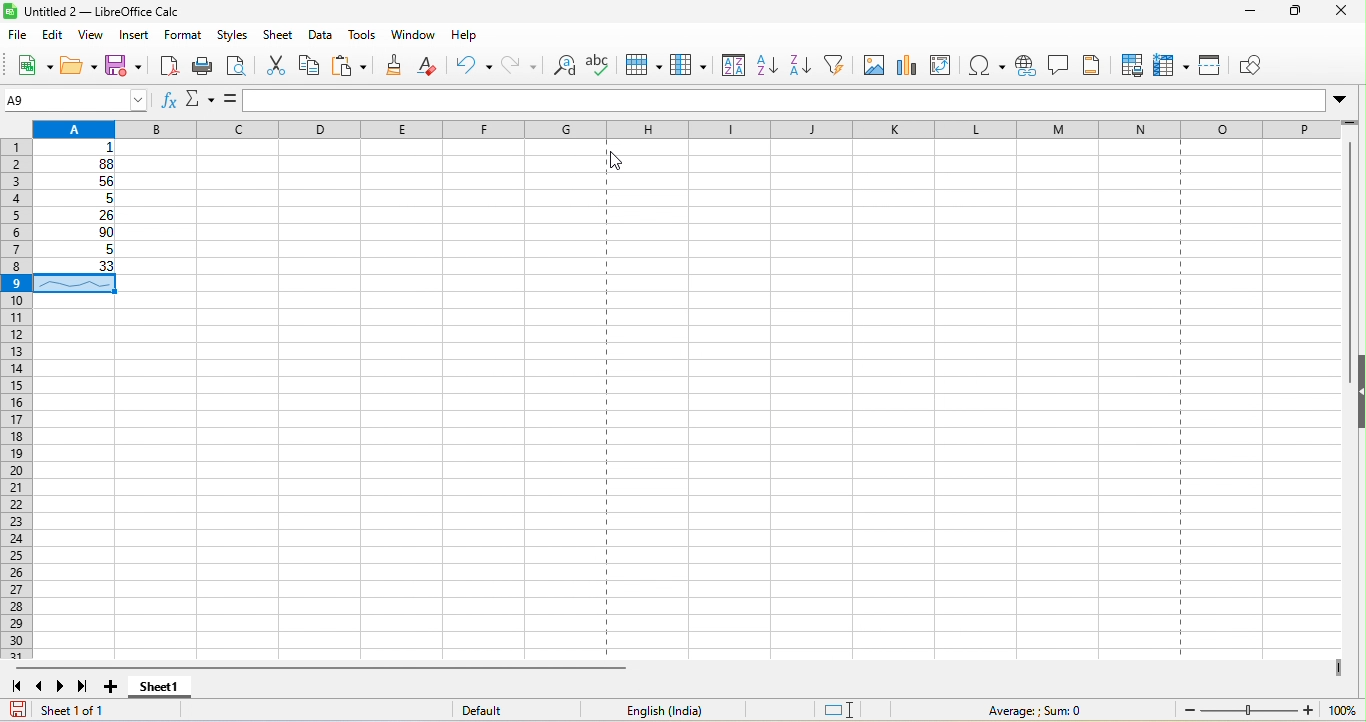 Image resolution: width=1366 pixels, height=722 pixels. What do you see at coordinates (77, 164) in the screenshot?
I see `88` at bounding box center [77, 164].